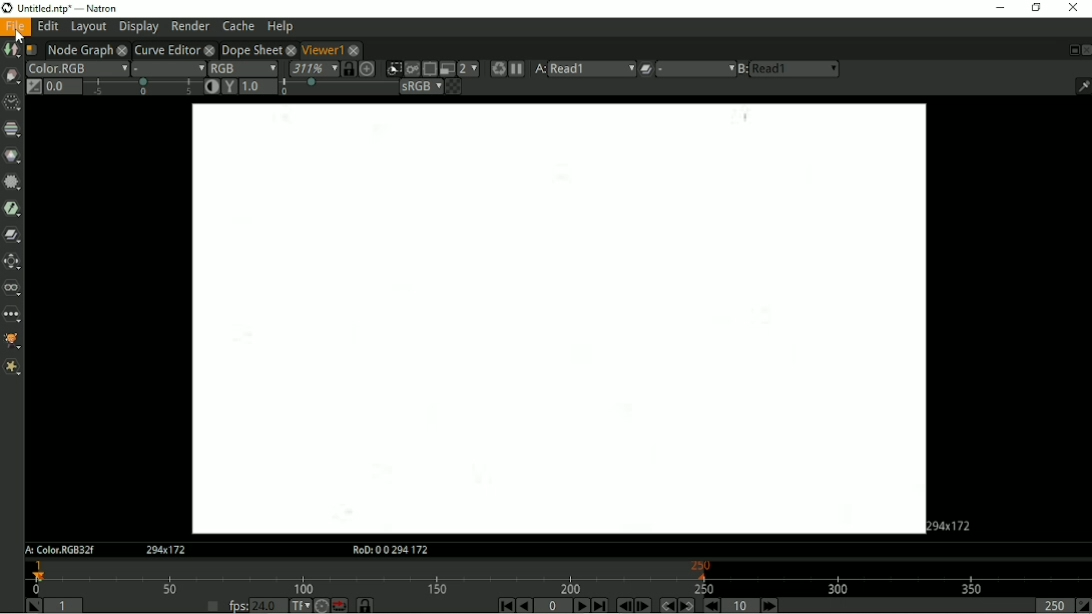 The image size is (1092, 614). I want to click on Viewer input A, so click(536, 69).